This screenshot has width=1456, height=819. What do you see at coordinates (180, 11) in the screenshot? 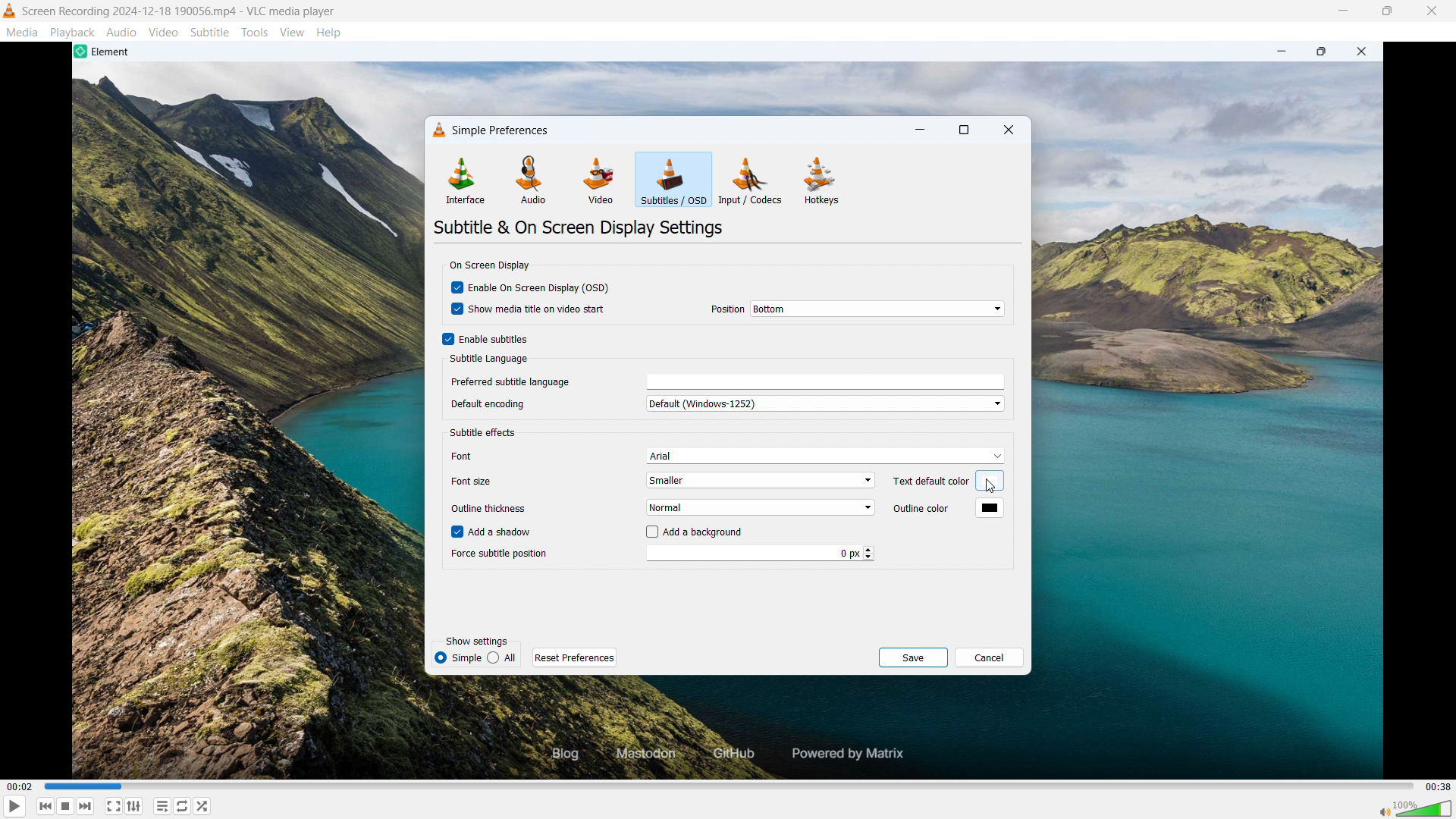
I see `File name ` at bounding box center [180, 11].